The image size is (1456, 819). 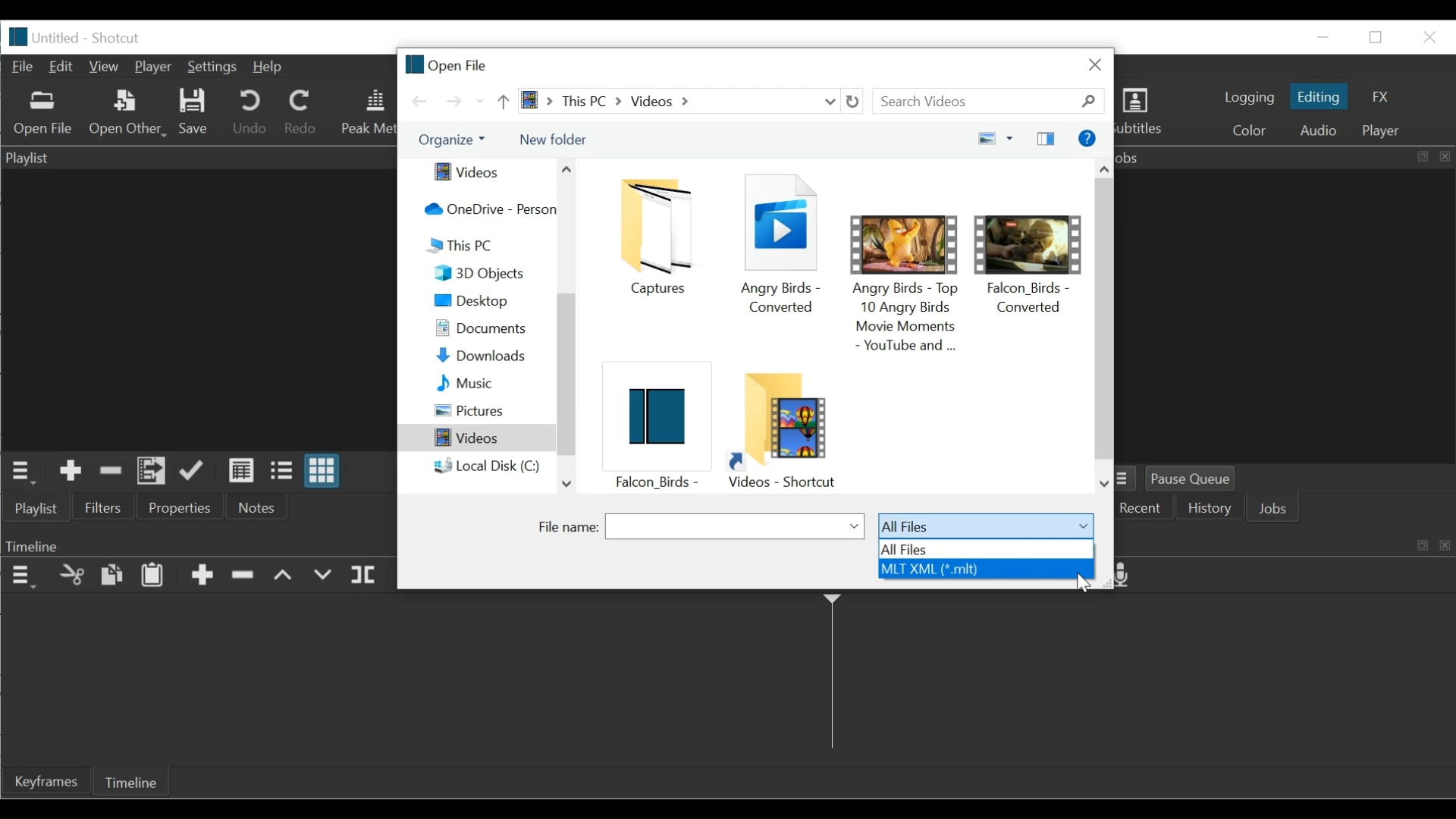 What do you see at coordinates (1105, 166) in the screenshot?
I see `Scroll up` at bounding box center [1105, 166].